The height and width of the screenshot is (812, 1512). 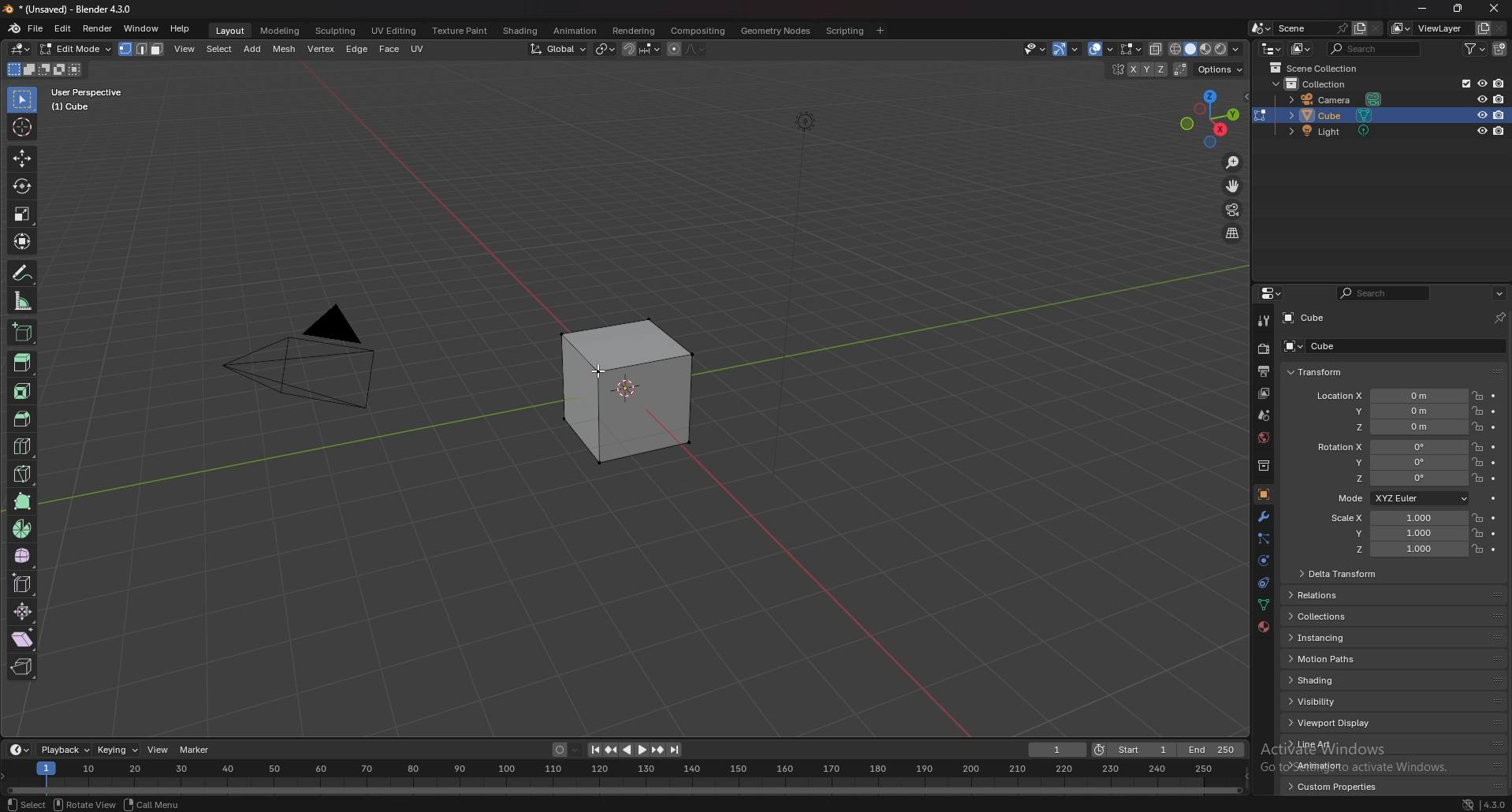 I want to click on location y, so click(x=1389, y=411).